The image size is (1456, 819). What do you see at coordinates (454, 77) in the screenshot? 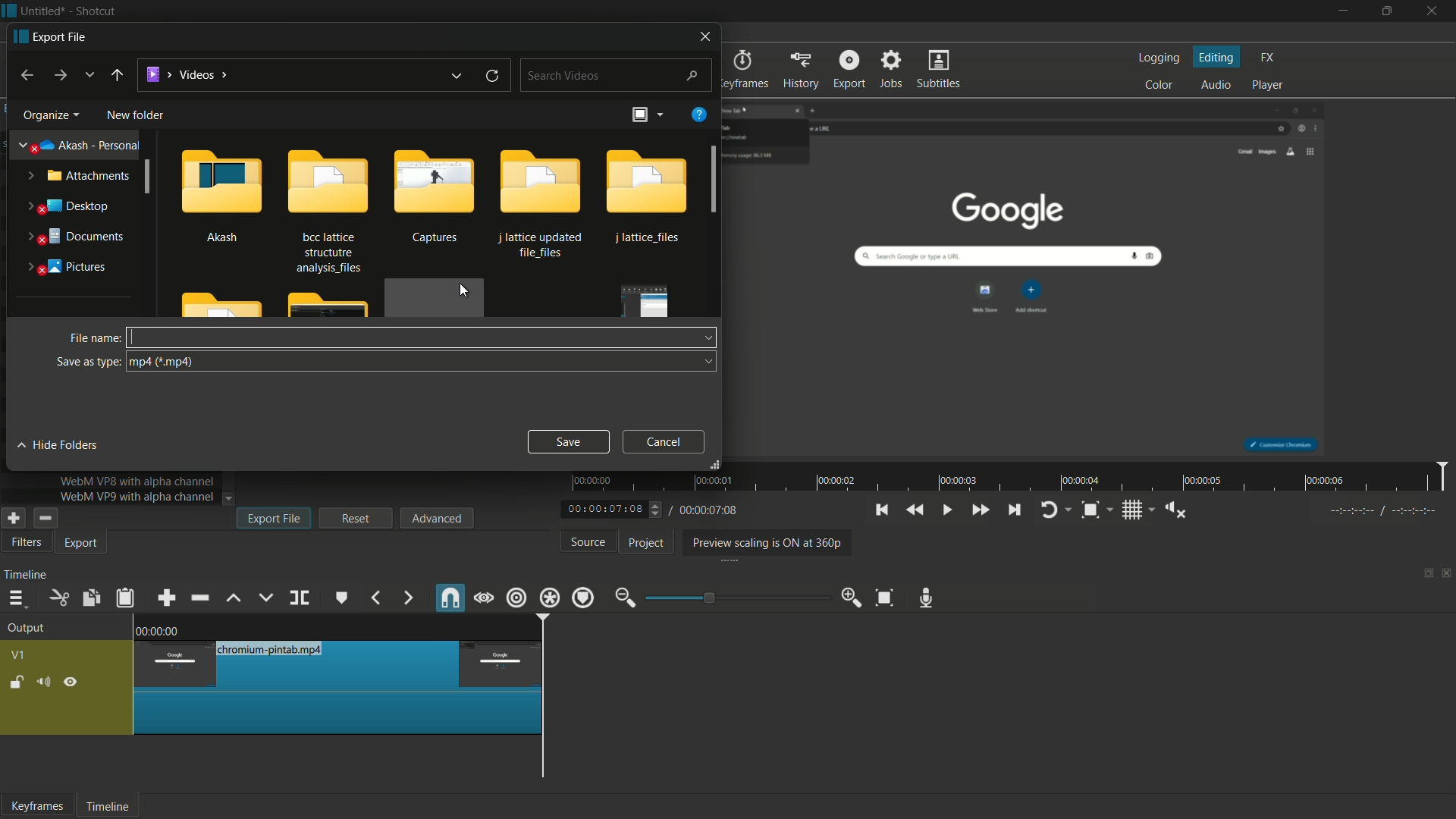
I see `previous location` at bounding box center [454, 77].